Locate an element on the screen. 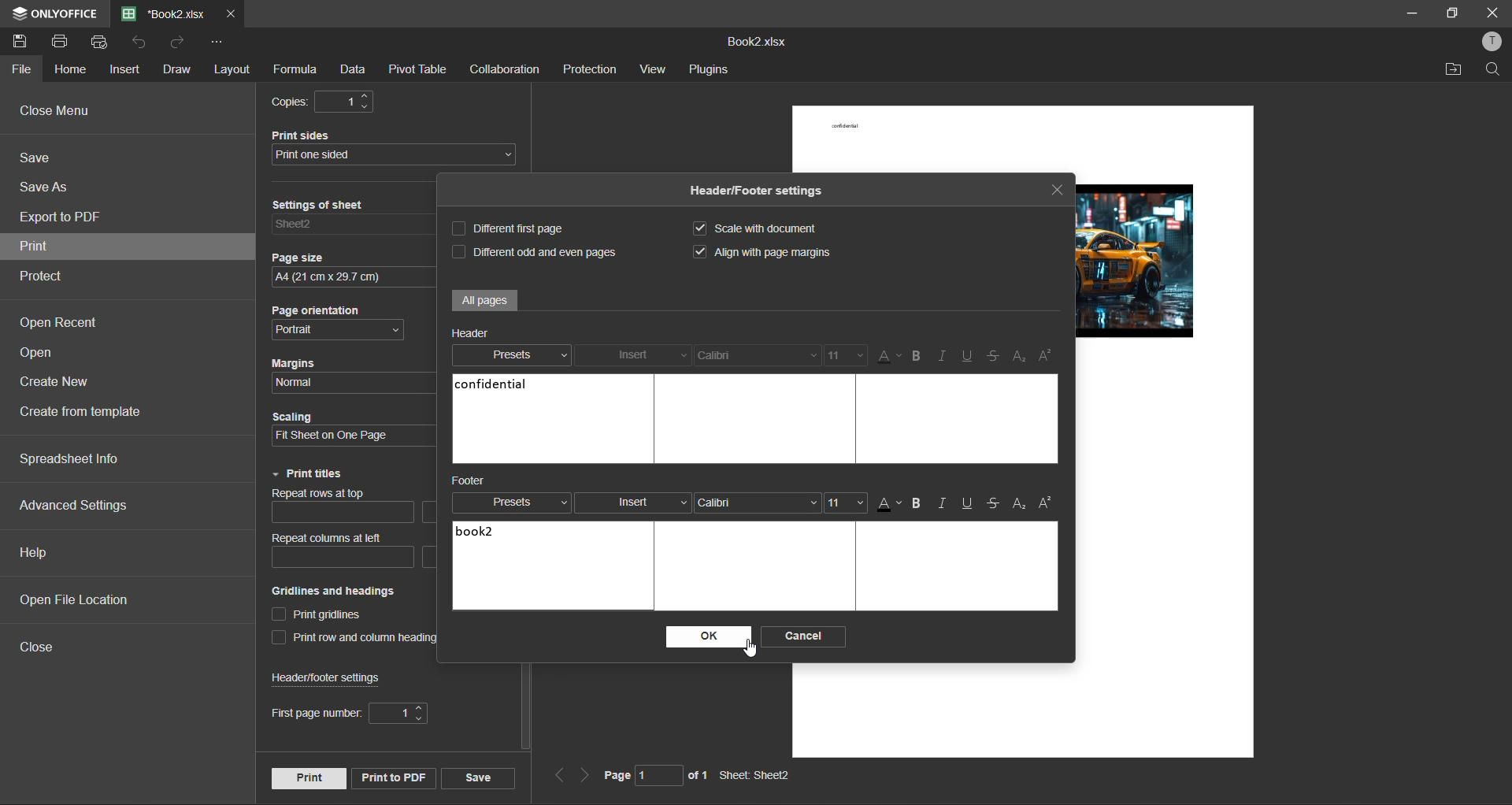 Image resolution: width=1512 pixels, height=805 pixels. presets is located at coordinates (514, 502).